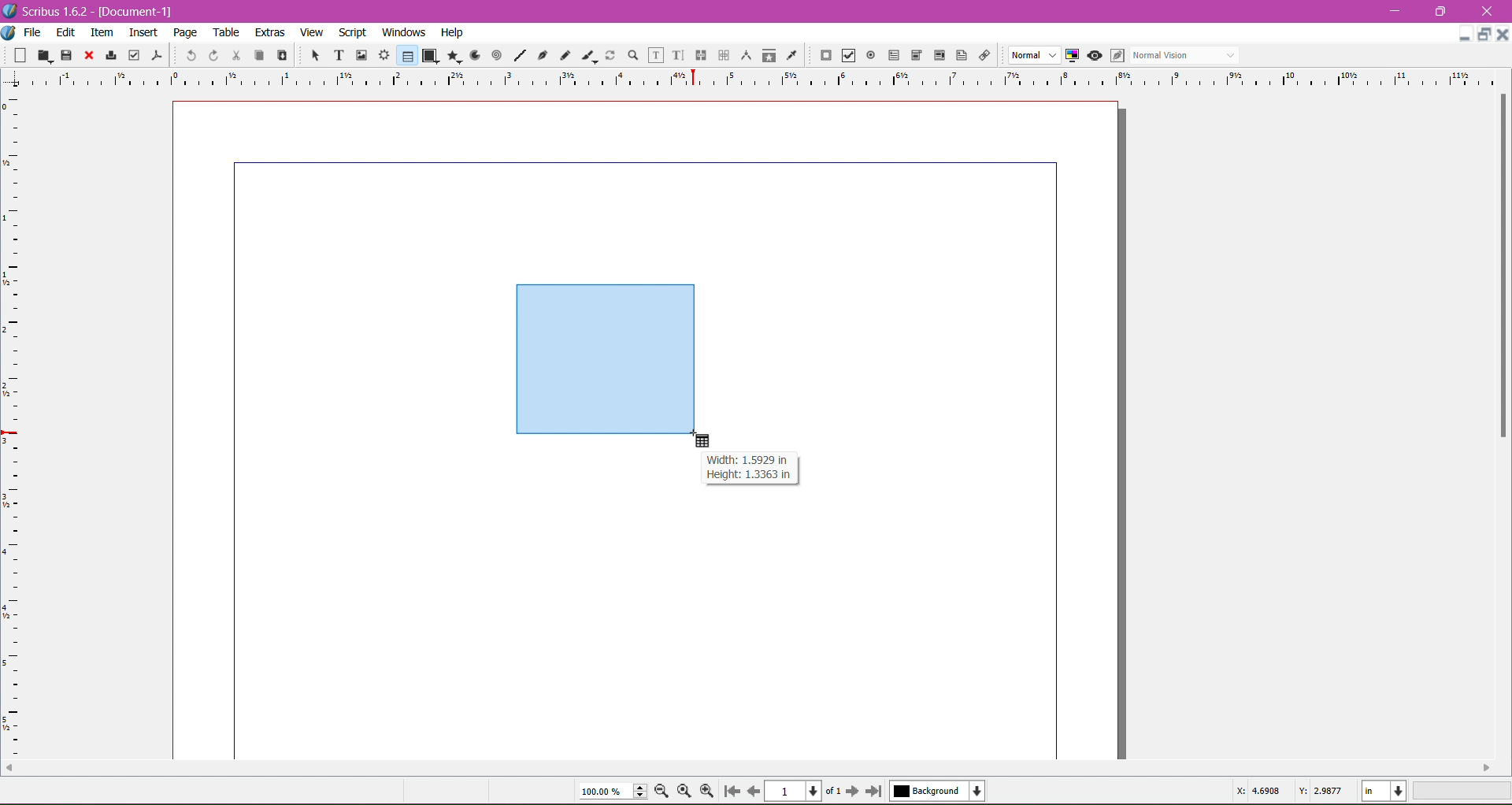  I want to click on Spiral, so click(495, 54).